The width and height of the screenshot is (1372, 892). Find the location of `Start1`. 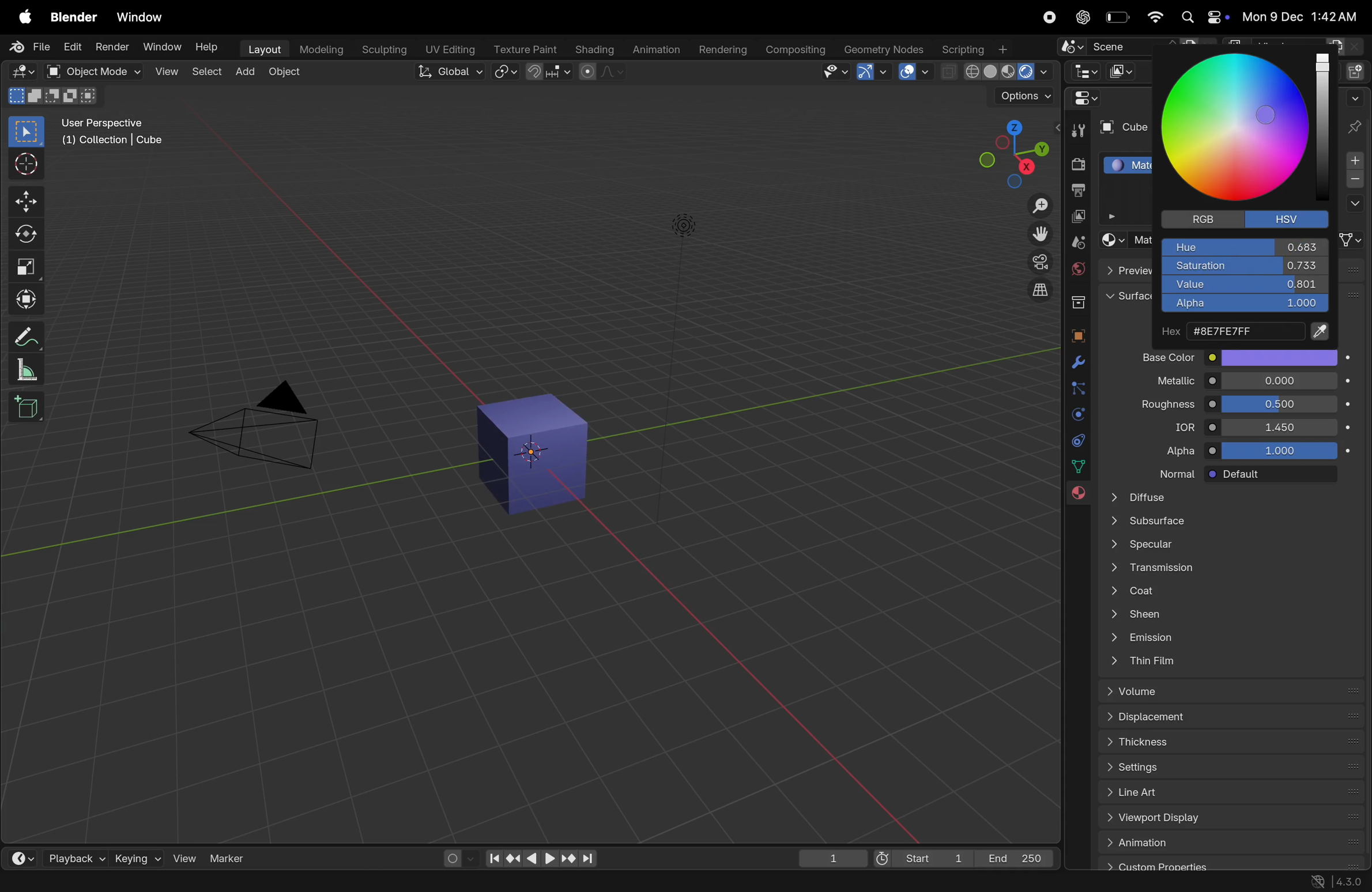

Start1 is located at coordinates (919, 860).